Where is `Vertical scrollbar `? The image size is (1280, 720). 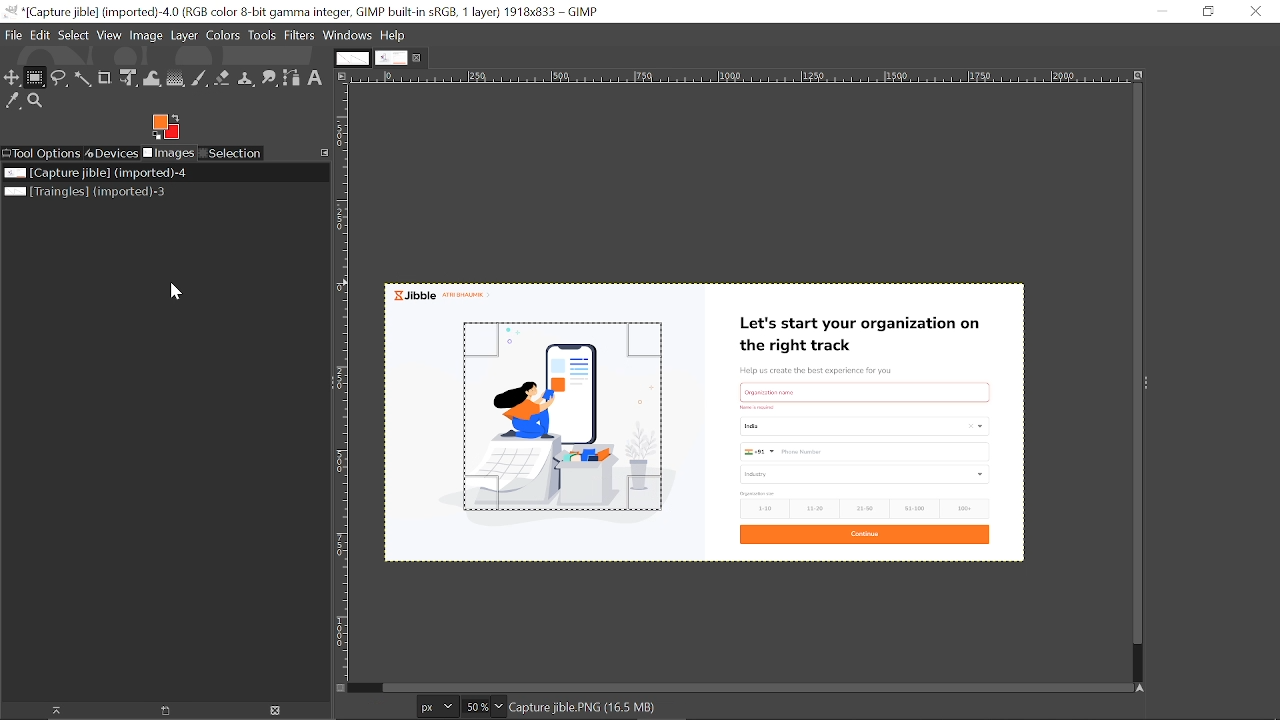 Vertical scrollbar  is located at coordinates (1131, 363).